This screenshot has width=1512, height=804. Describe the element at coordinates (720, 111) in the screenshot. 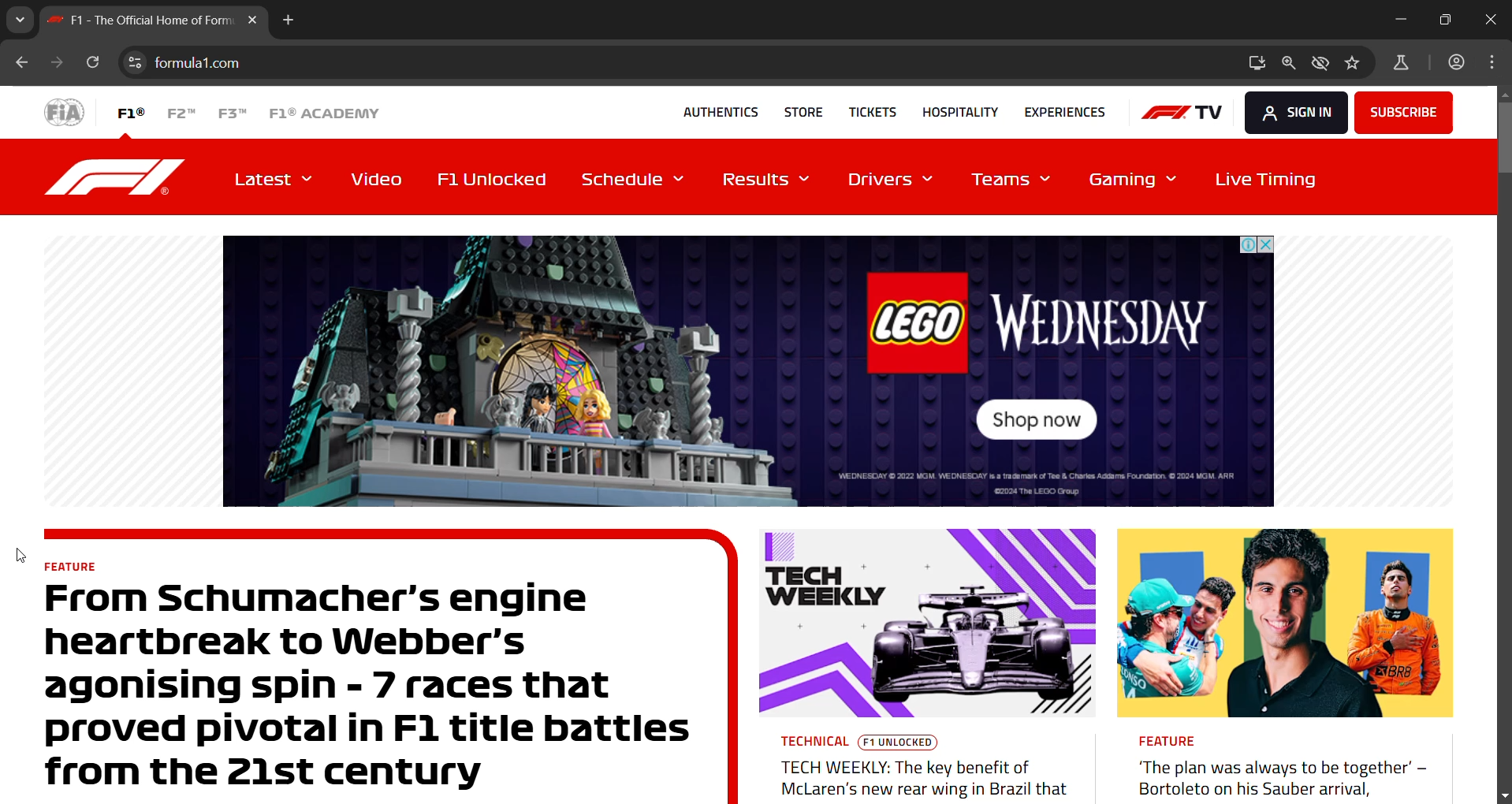

I see `AUTHENTICS` at that location.